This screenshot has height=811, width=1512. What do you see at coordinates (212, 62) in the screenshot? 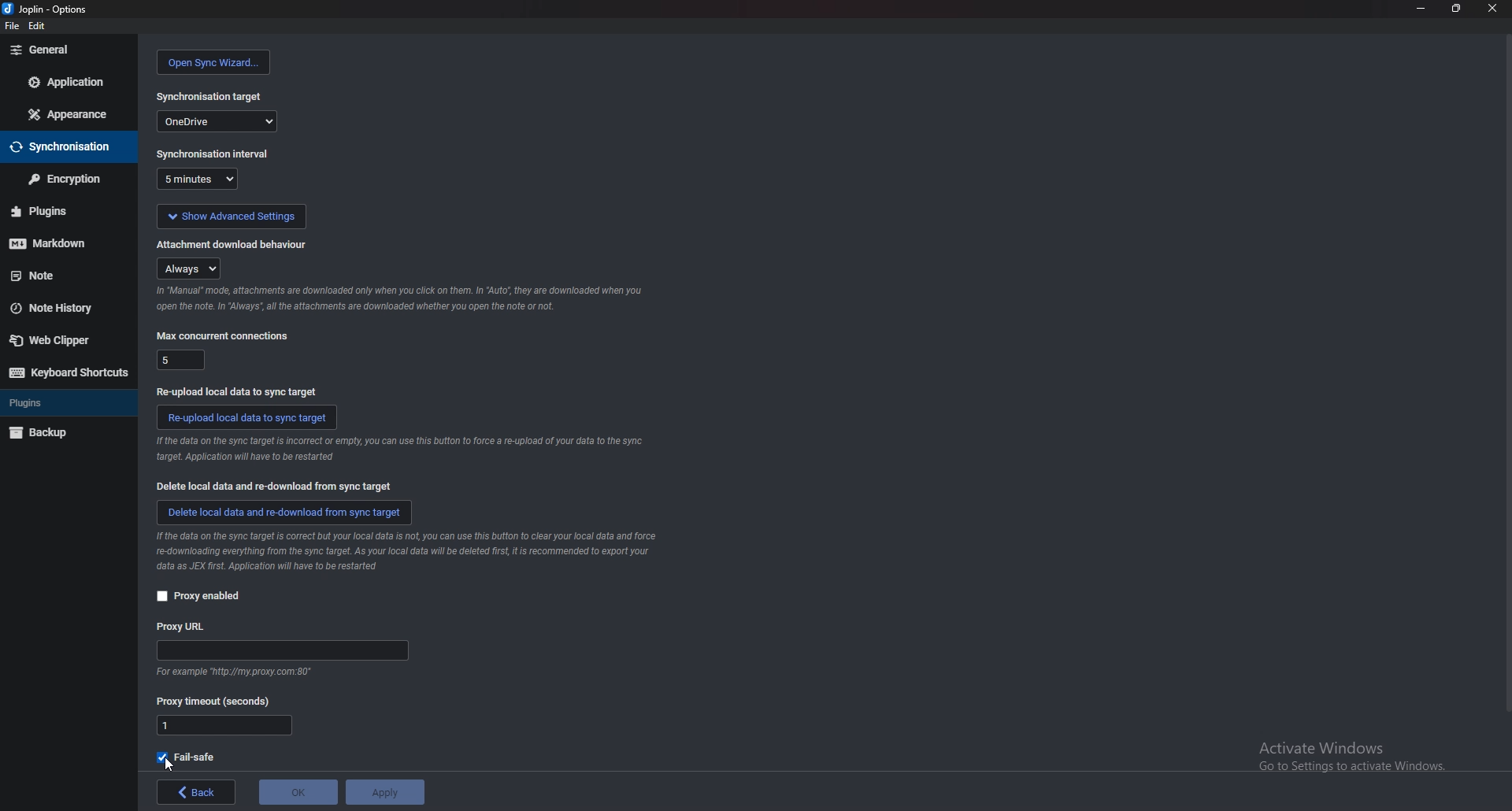
I see `open sync wizard` at bounding box center [212, 62].